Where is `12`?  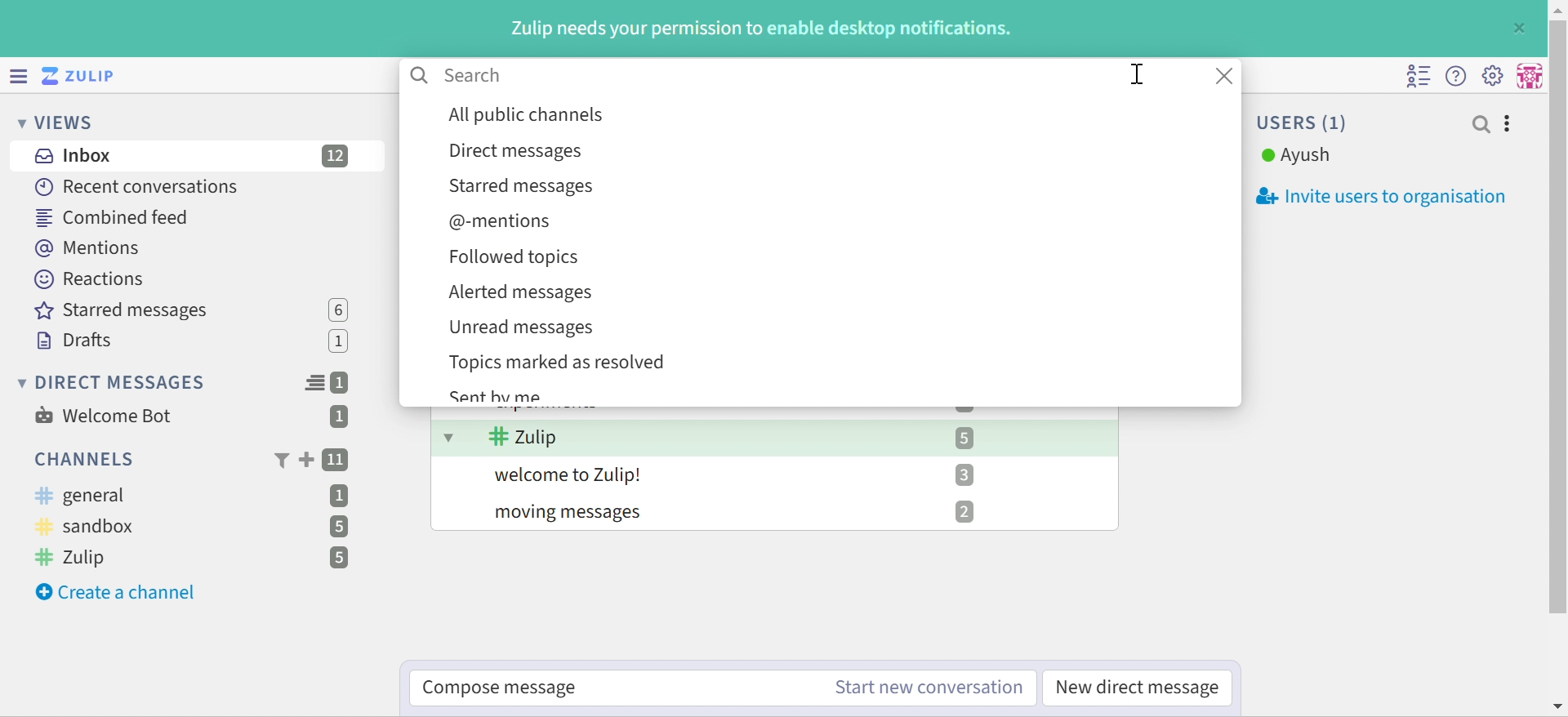 12 is located at coordinates (336, 156).